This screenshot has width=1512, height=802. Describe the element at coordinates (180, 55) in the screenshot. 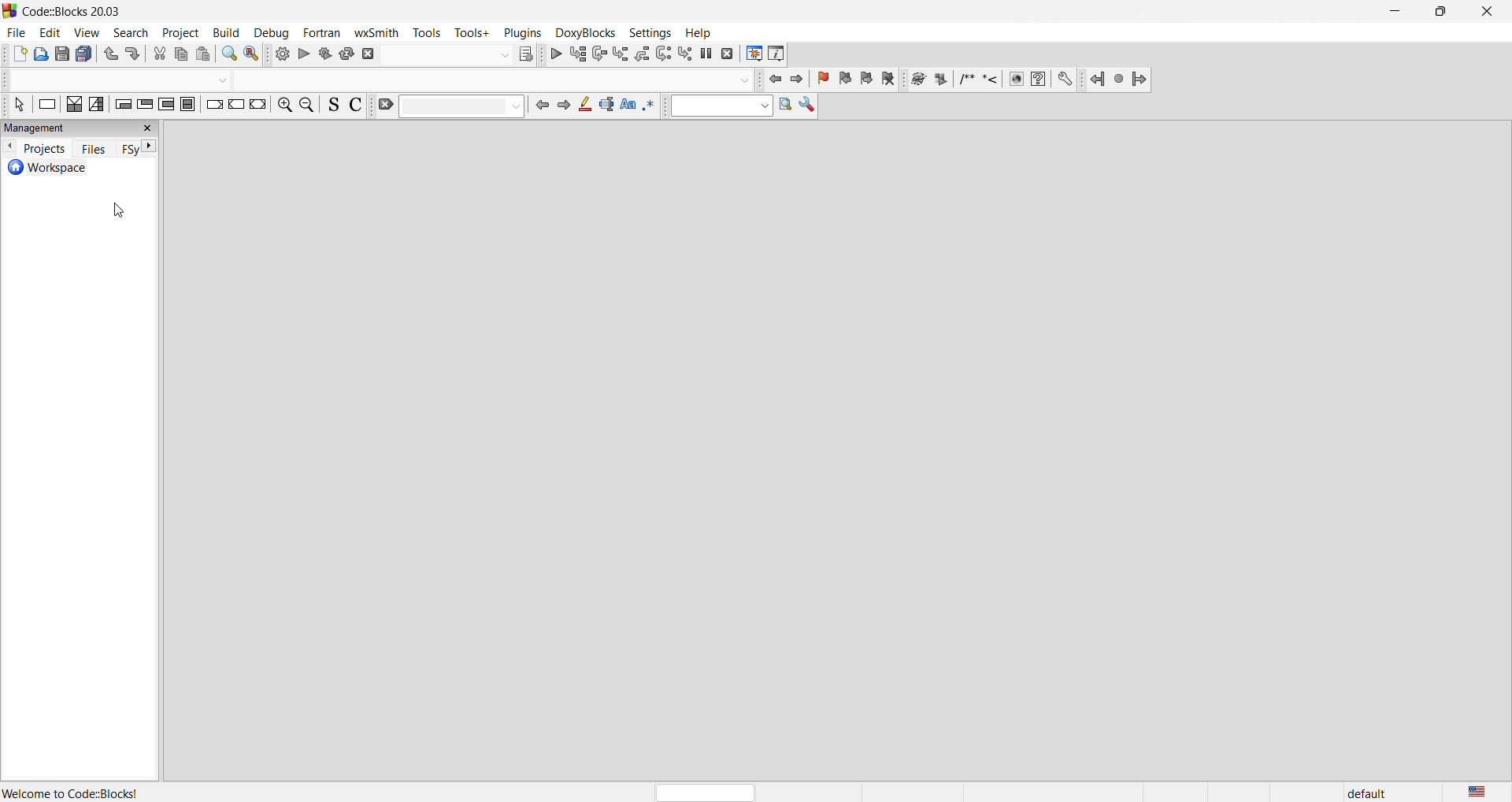

I see `copy` at that location.